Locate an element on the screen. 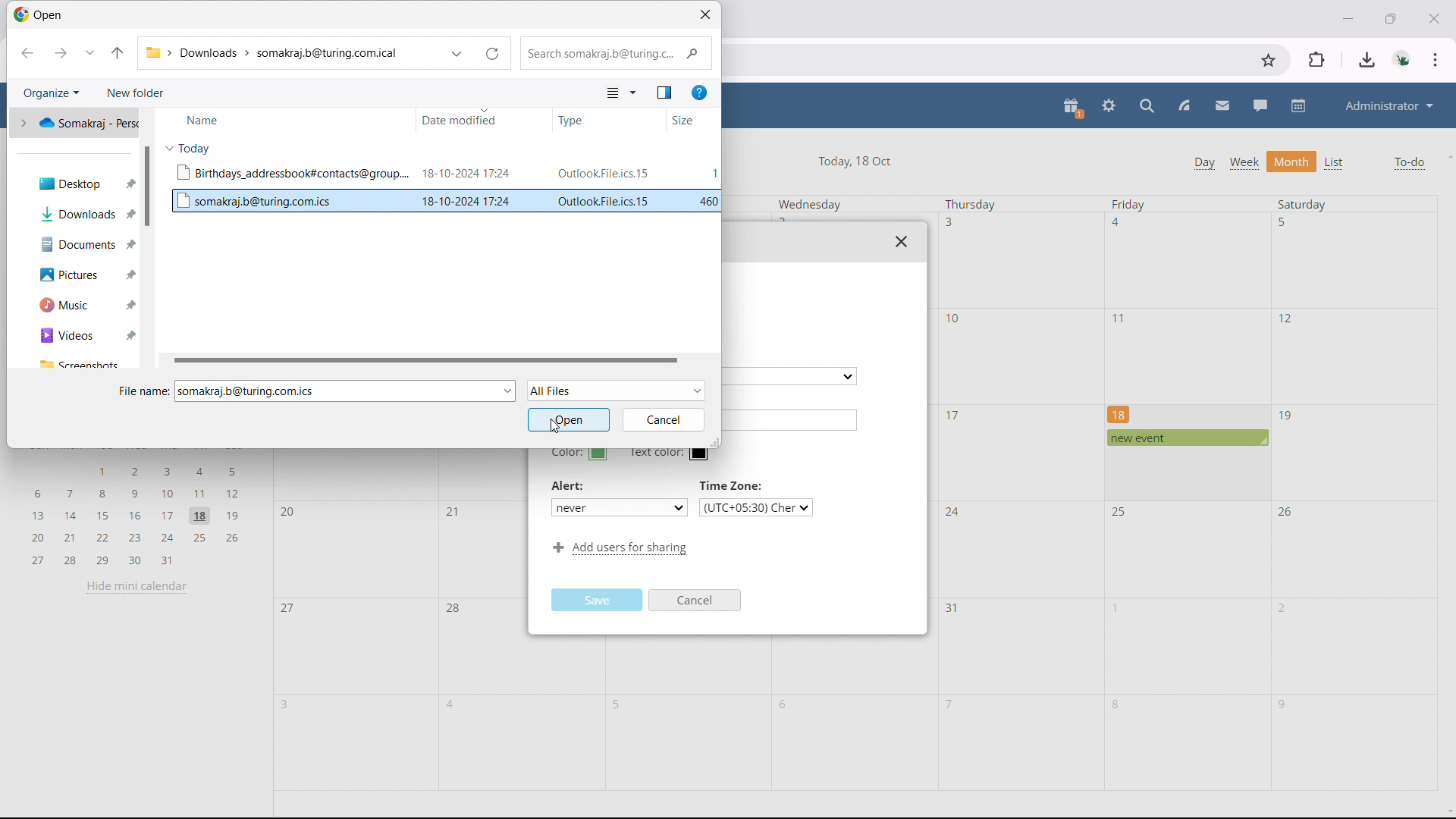  Music is located at coordinates (75, 305).